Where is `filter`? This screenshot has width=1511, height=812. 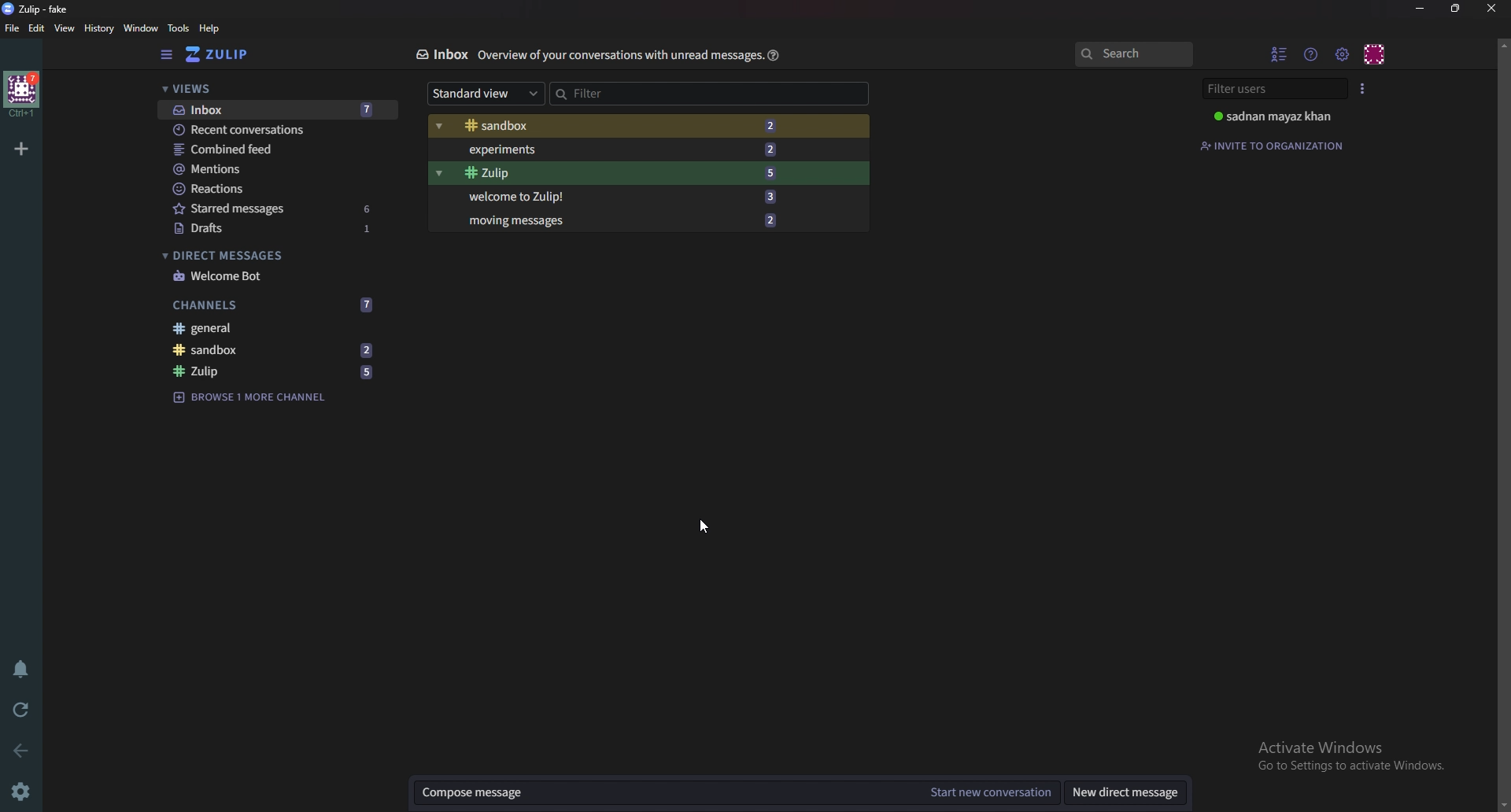 filter is located at coordinates (630, 94).